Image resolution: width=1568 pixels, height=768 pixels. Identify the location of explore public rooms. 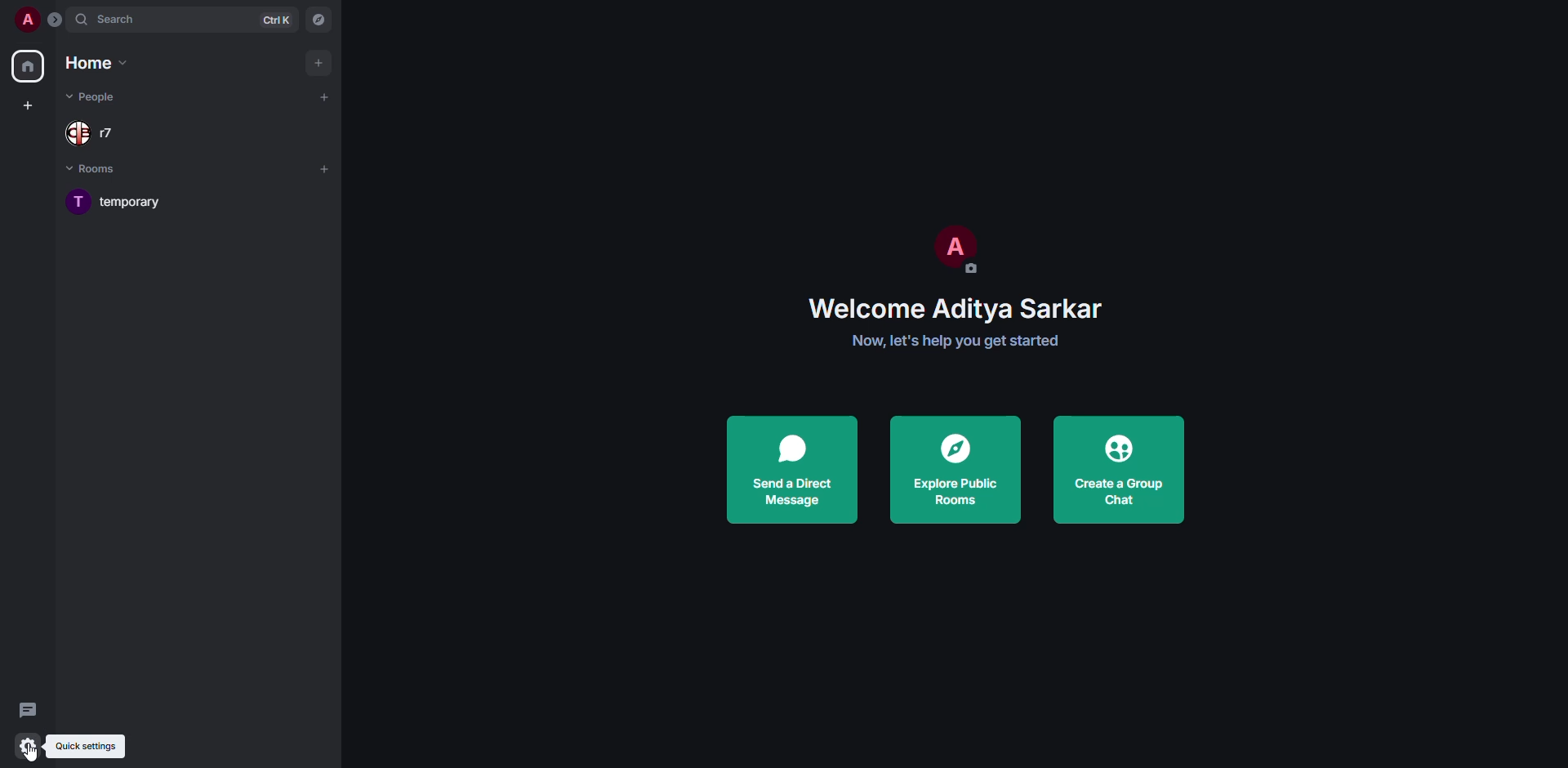
(957, 469).